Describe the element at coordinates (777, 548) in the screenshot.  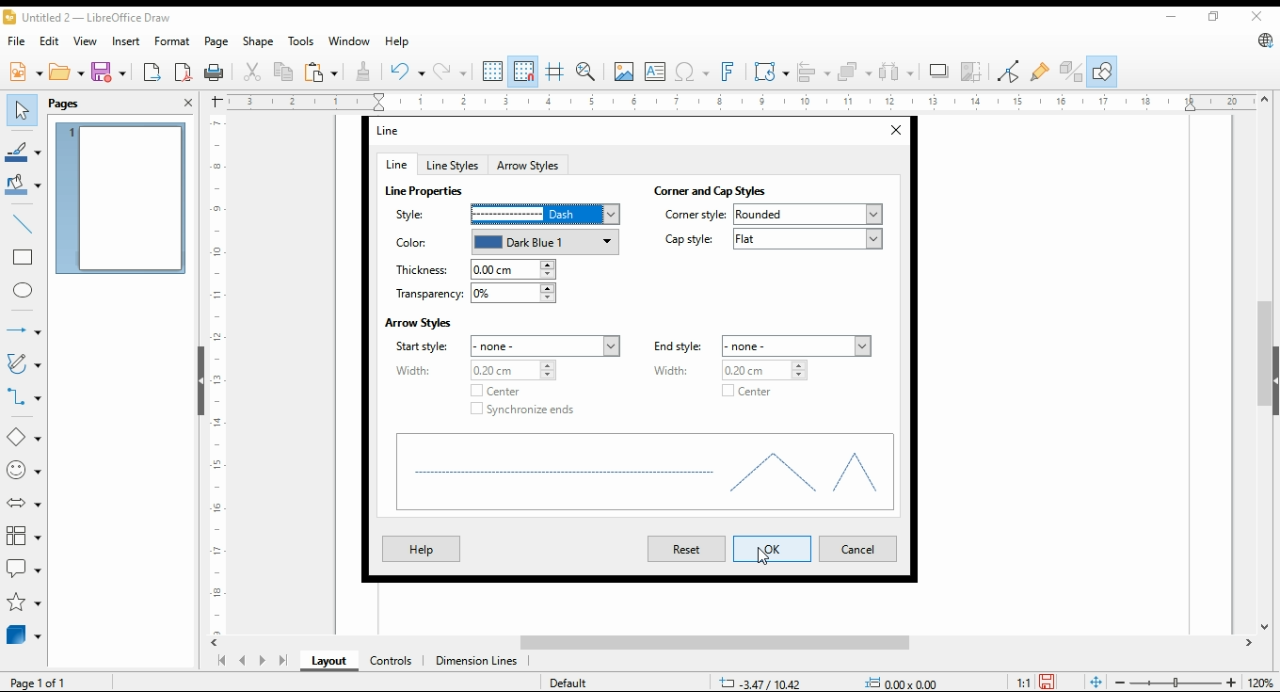
I see `ok` at that location.